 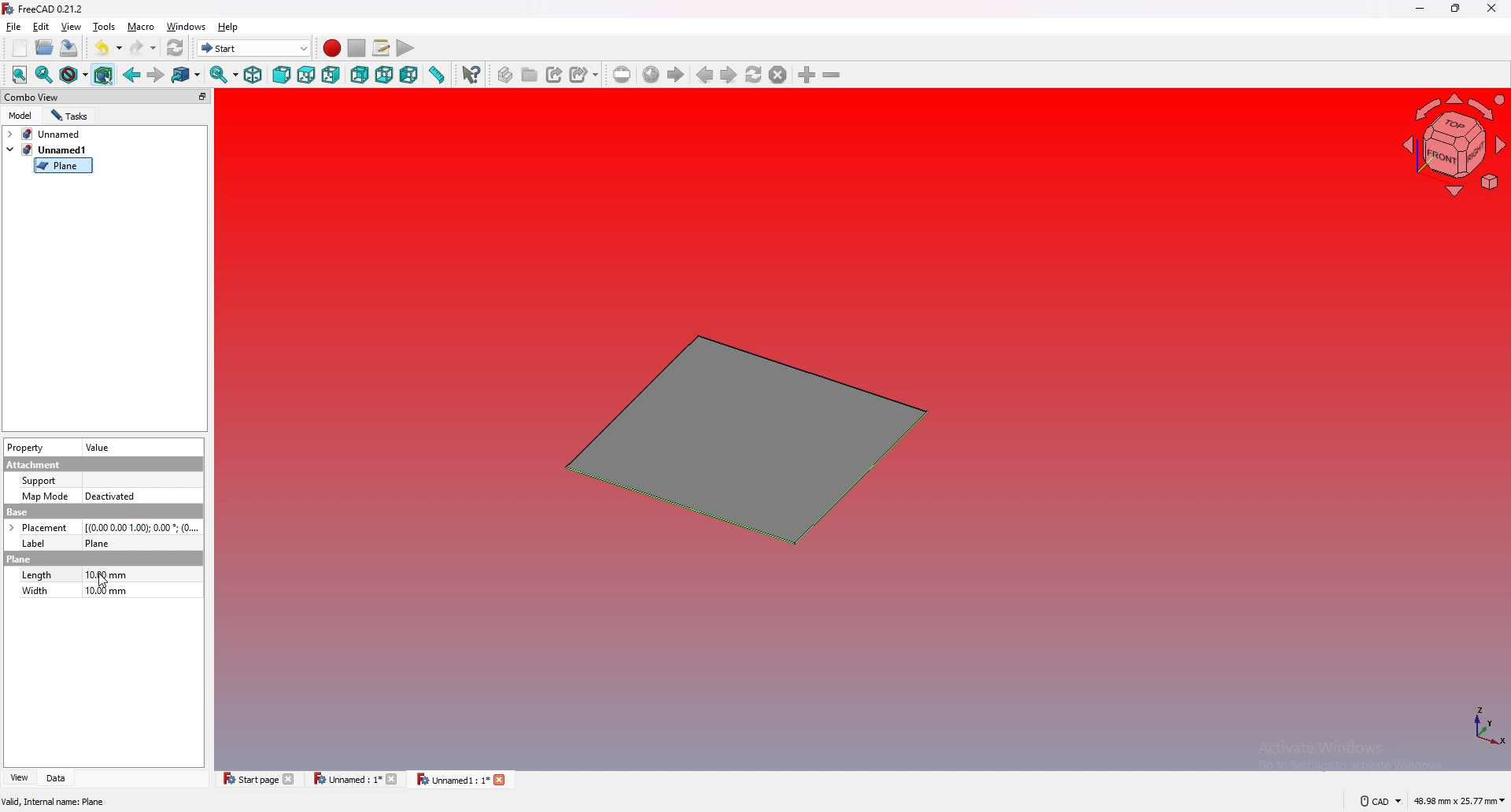 I want to click on bounding box, so click(x=104, y=75).